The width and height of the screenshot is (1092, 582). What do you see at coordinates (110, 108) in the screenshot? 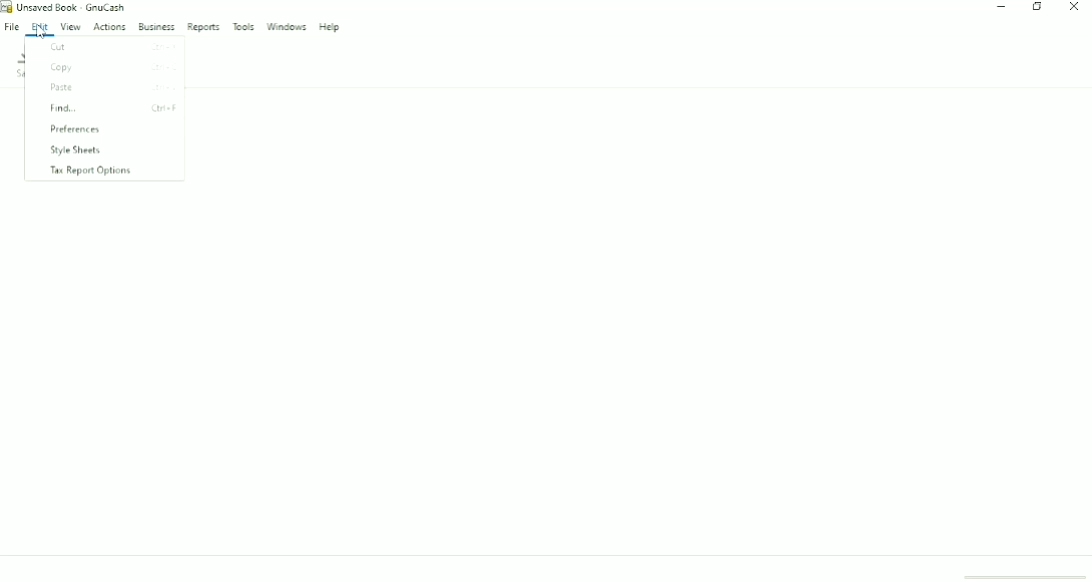
I see `Find` at bounding box center [110, 108].